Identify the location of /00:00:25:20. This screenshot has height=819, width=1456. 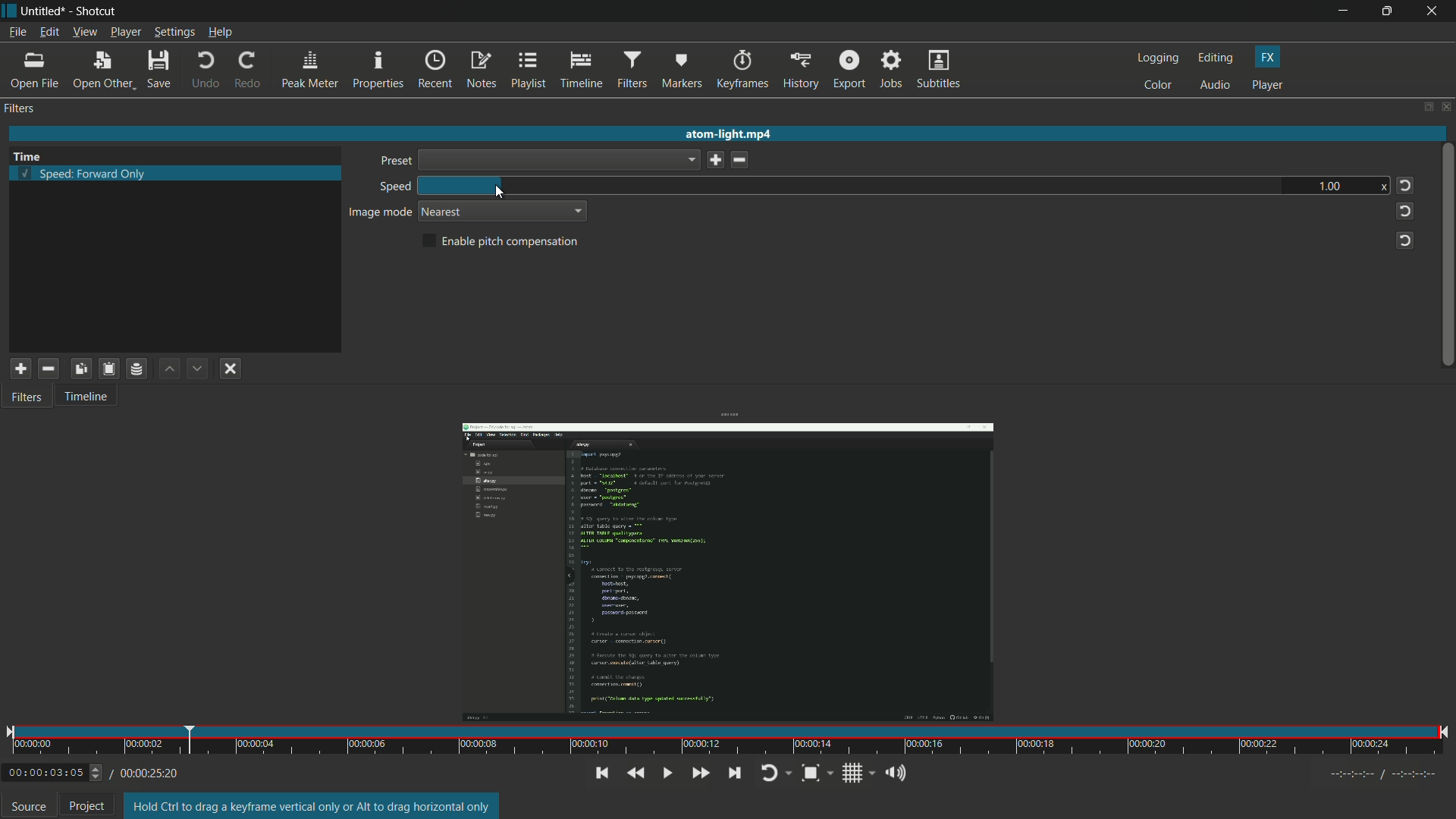
(149, 773).